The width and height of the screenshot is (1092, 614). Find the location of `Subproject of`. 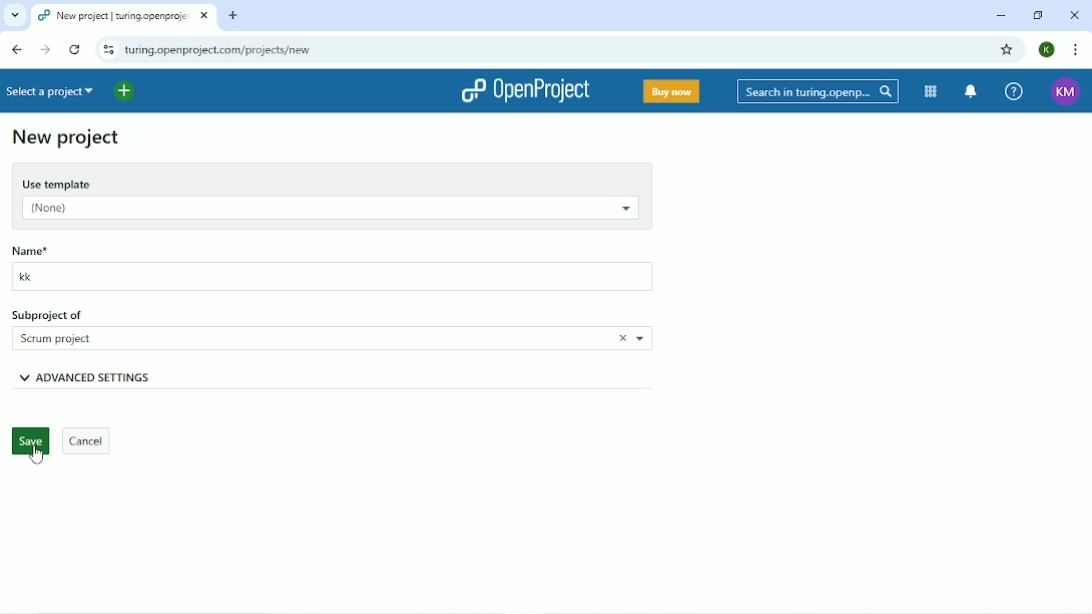

Subproject of is located at coordinates (46, 313).